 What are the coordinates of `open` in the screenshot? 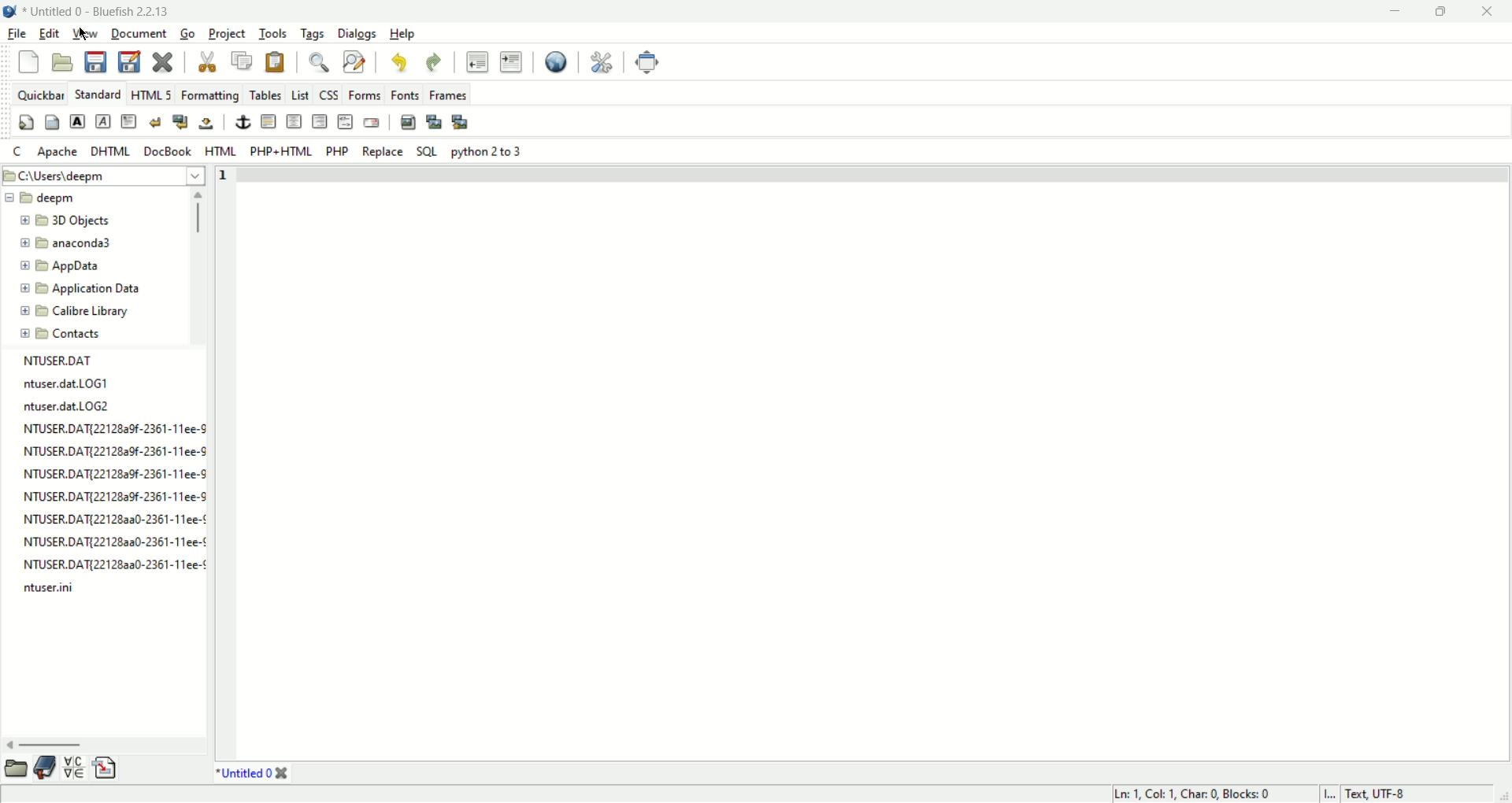 It's located at (65, 61).